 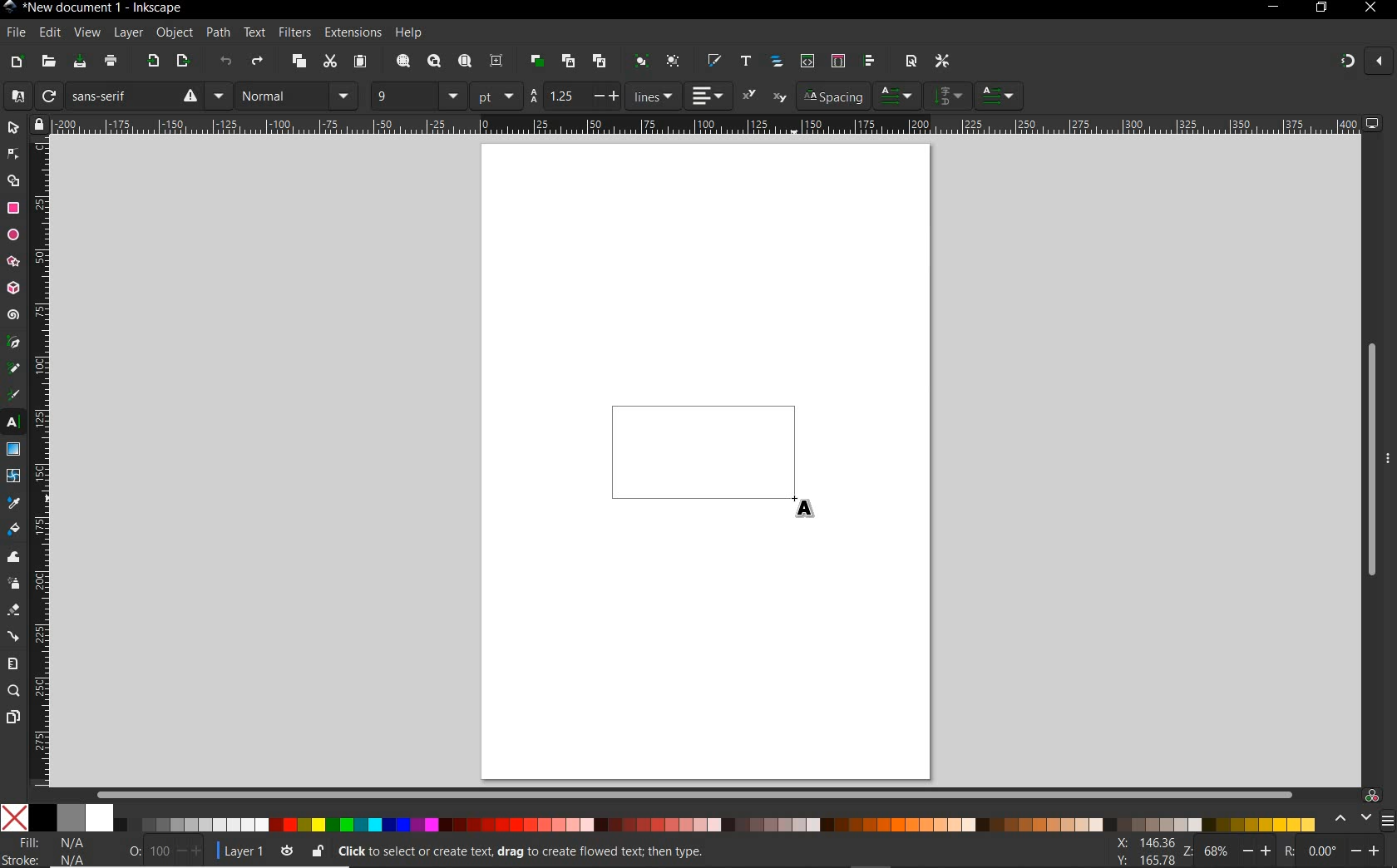 I want to click on open file dialog, so click(x=47, y=62).